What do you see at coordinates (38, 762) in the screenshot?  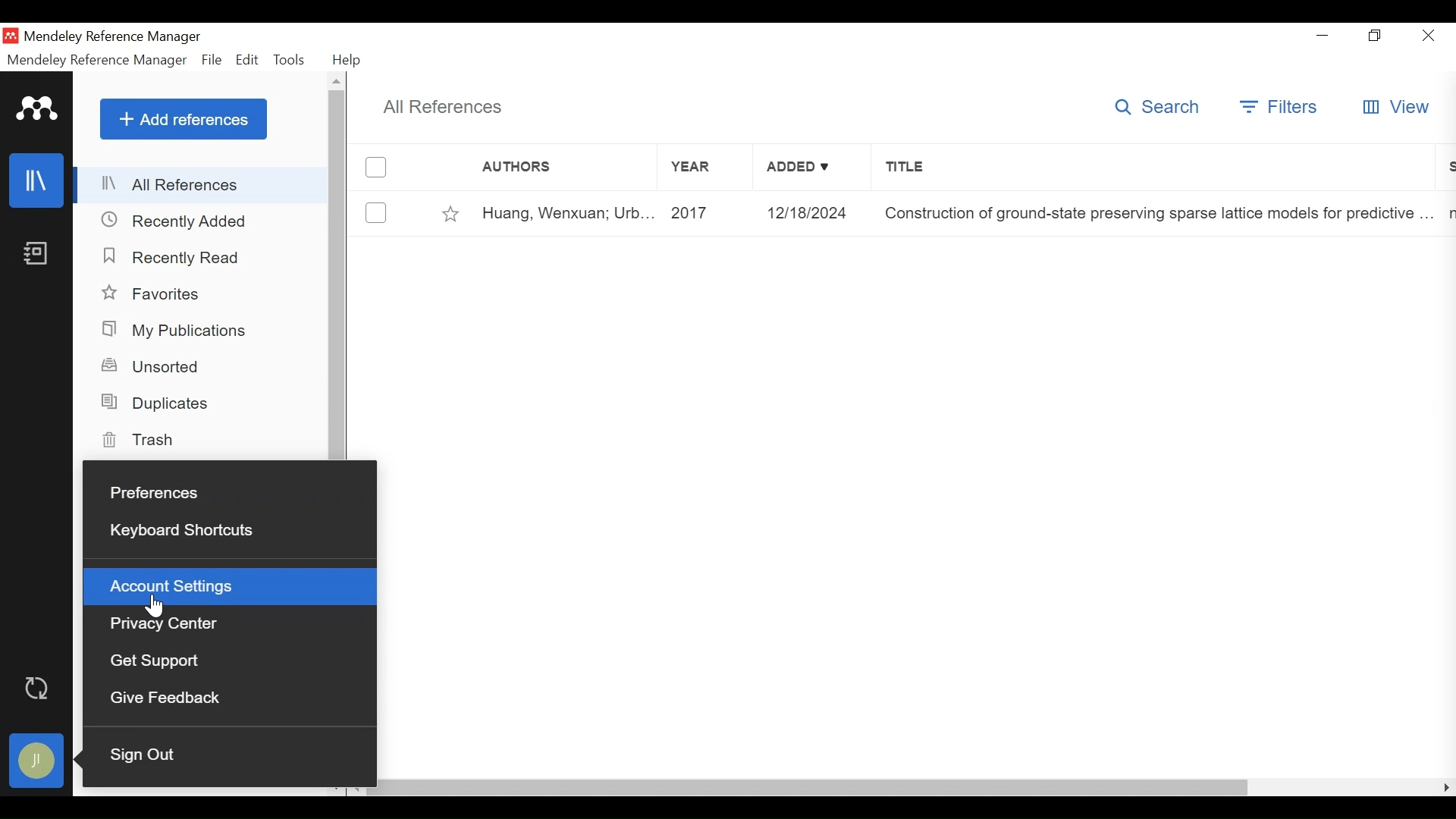 I see `Avatar` at bounding box center [38, 762].